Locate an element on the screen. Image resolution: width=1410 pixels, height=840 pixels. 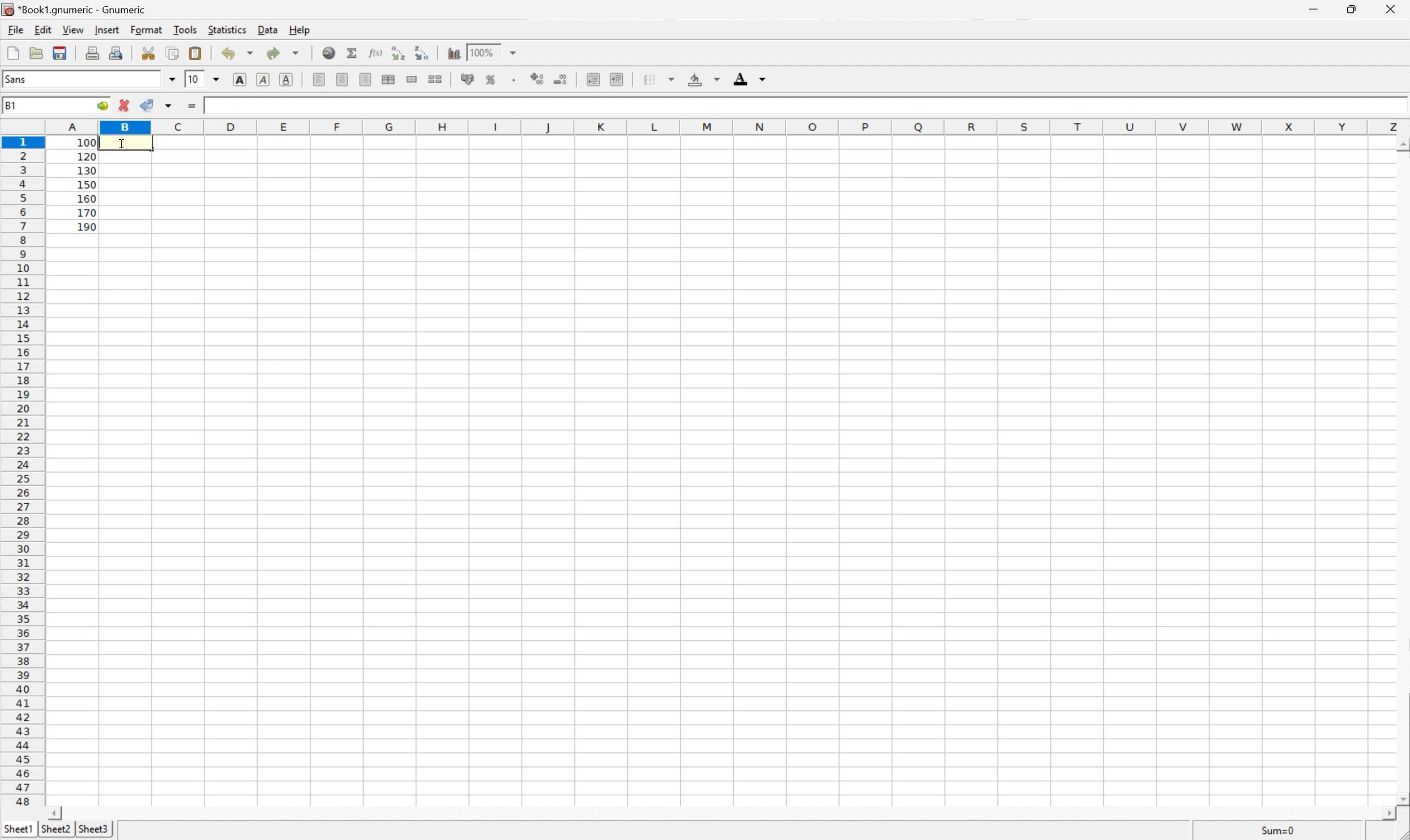
Statistics is located at coordinates (228, 29).